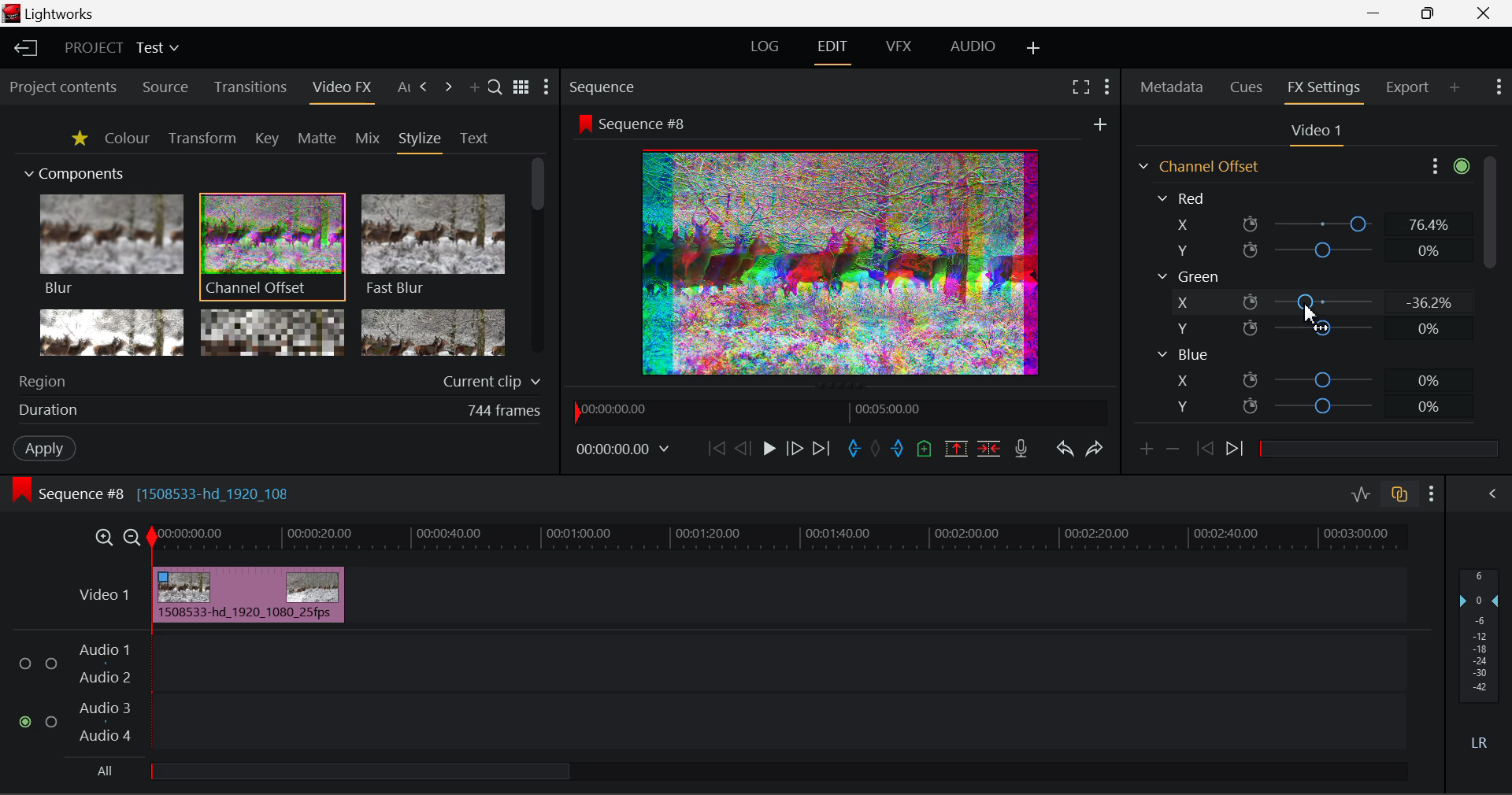  I want to click on Fast Blur, so click(434, 246).